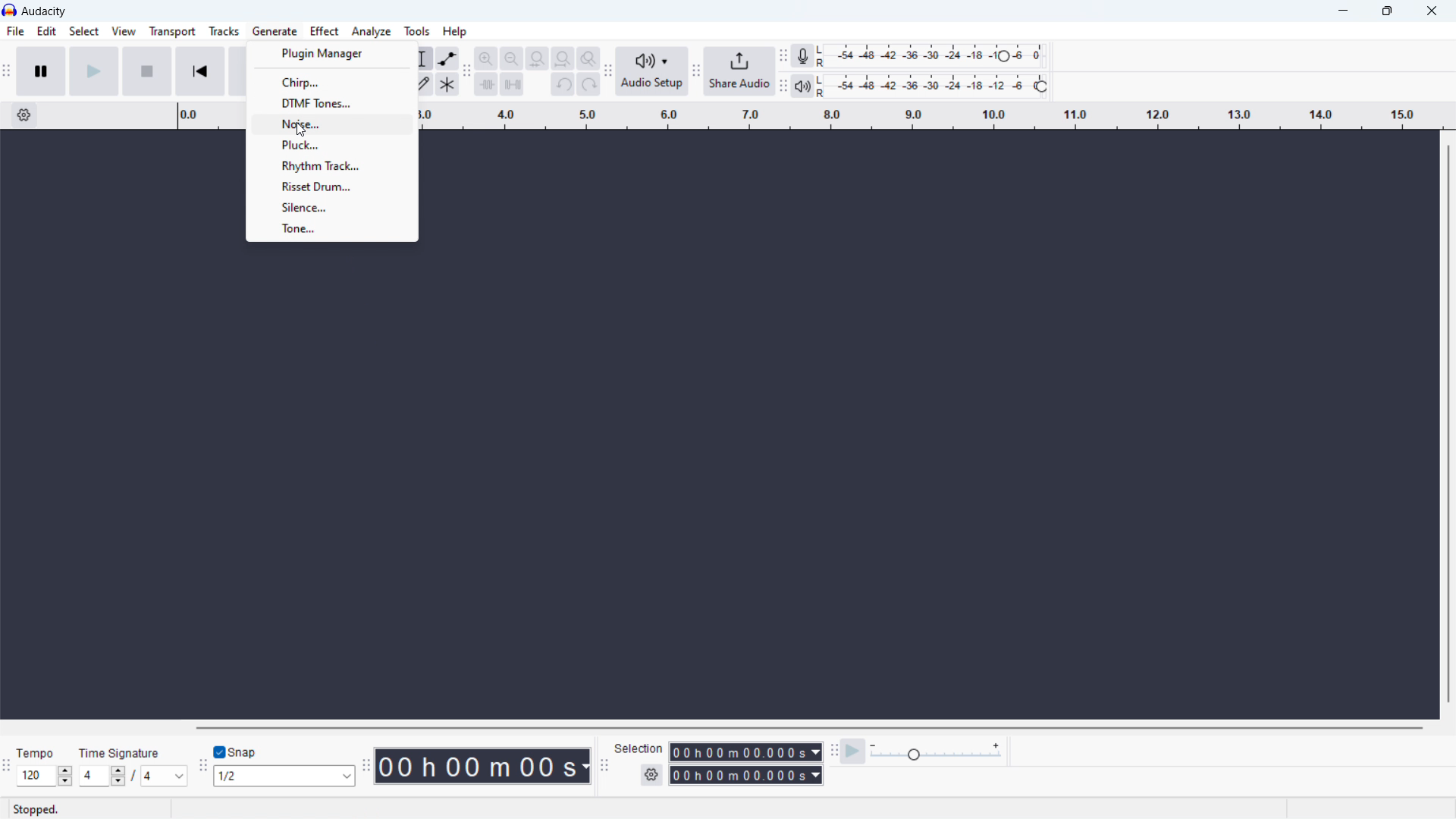  I want to click on zoom toggle, so click(588, 58).